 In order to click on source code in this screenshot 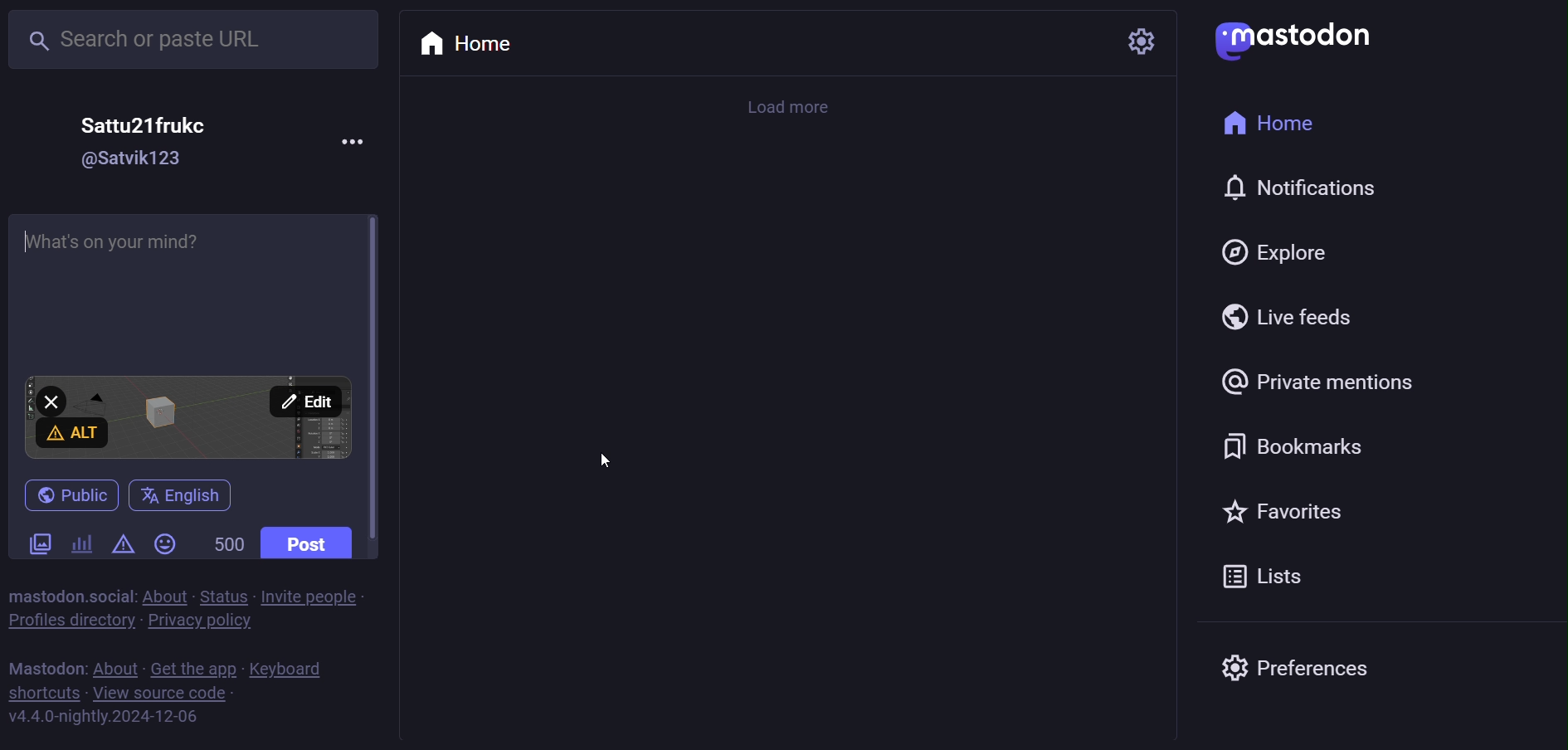, I will do `click(160, 695)`.